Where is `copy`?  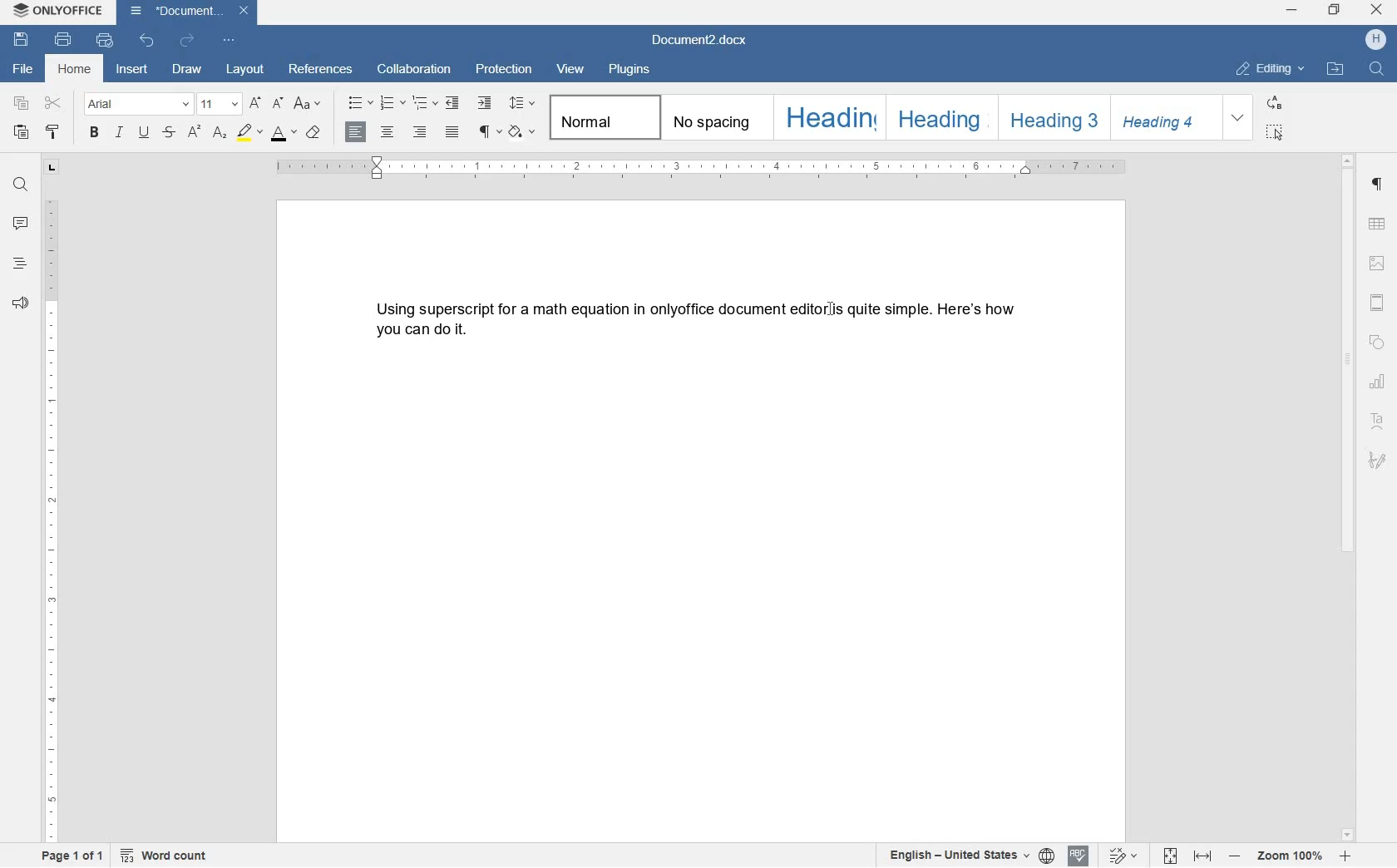
copy is located at coordinates (22, 104).